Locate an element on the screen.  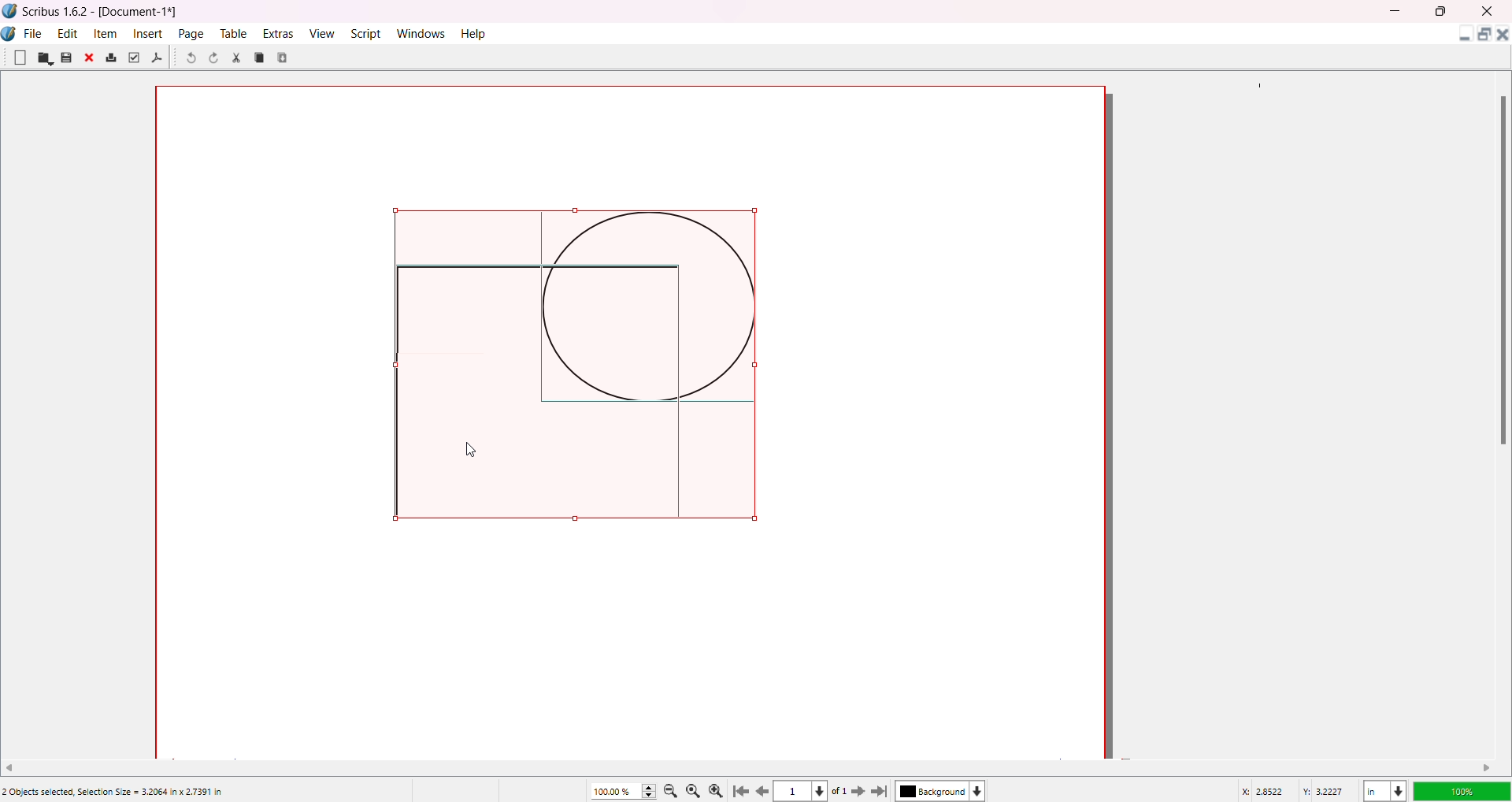
Table is located at coordinates (232, 33).